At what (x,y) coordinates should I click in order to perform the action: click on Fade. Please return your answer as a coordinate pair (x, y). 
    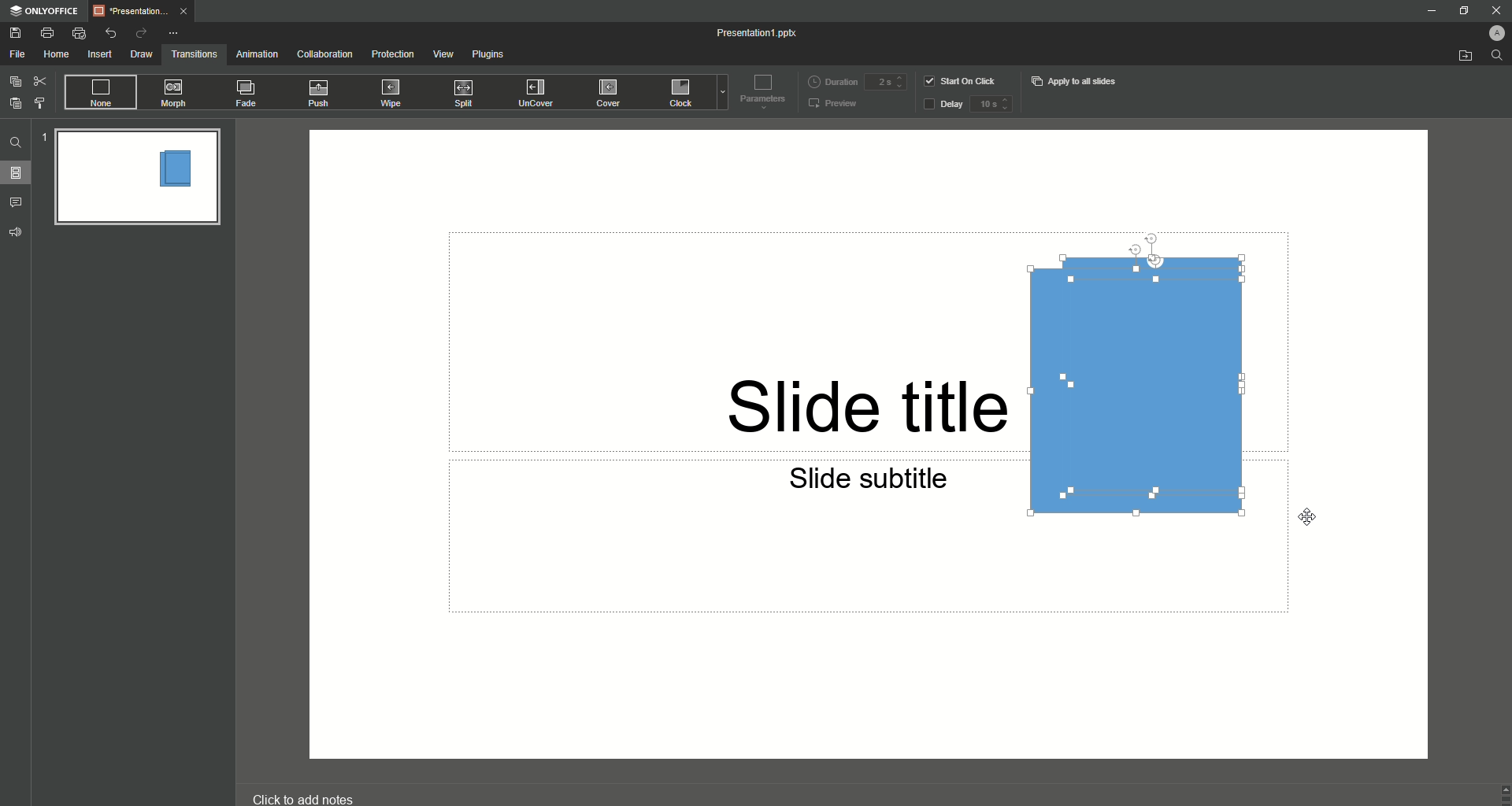
    Looking at the image, I should click on (247, 96).